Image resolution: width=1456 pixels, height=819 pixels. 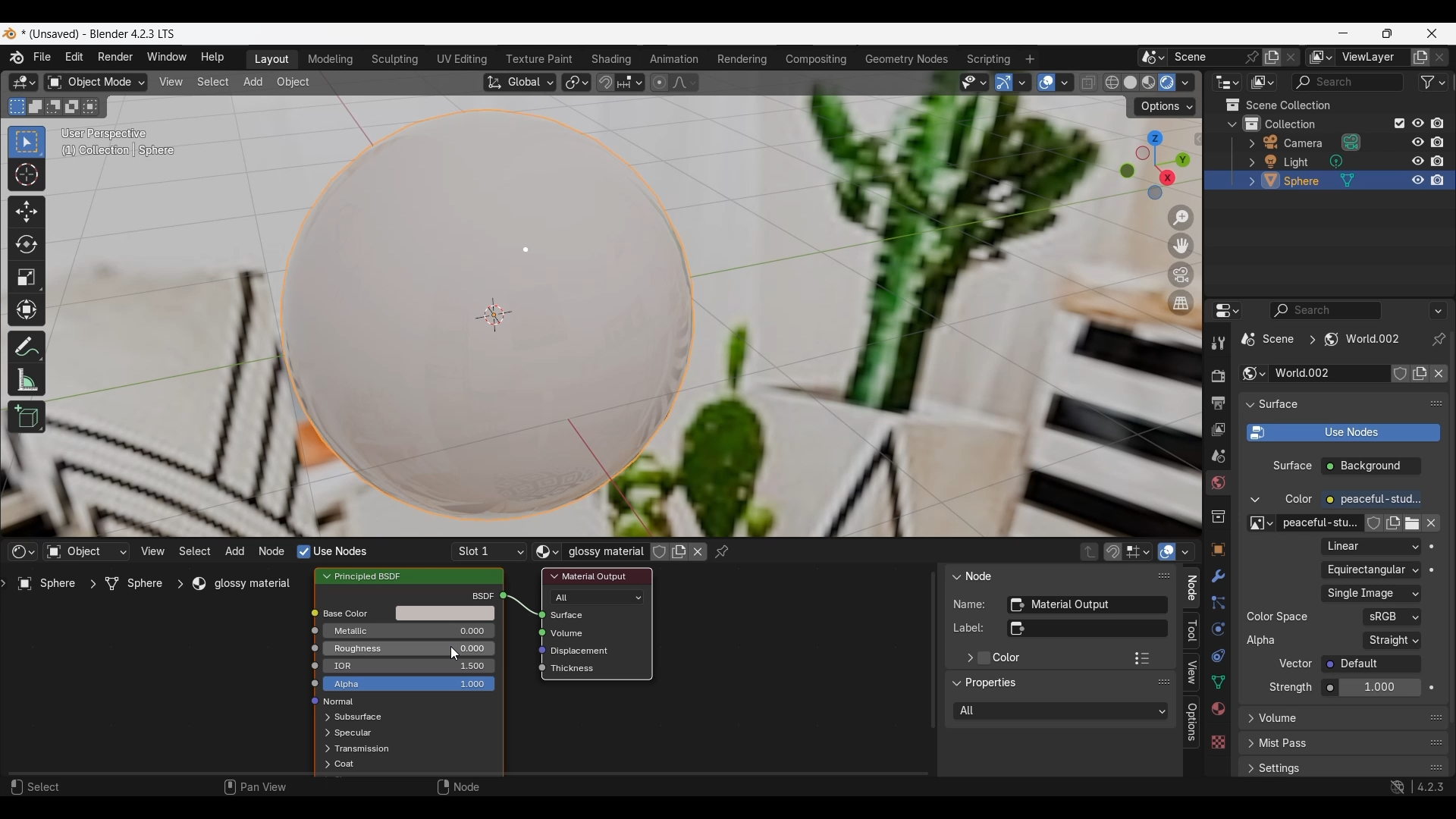 What do you see at coordinates (1247, 162) in the screenshot?
I see `expand respective scenes` at bounding box center [1247, 162].